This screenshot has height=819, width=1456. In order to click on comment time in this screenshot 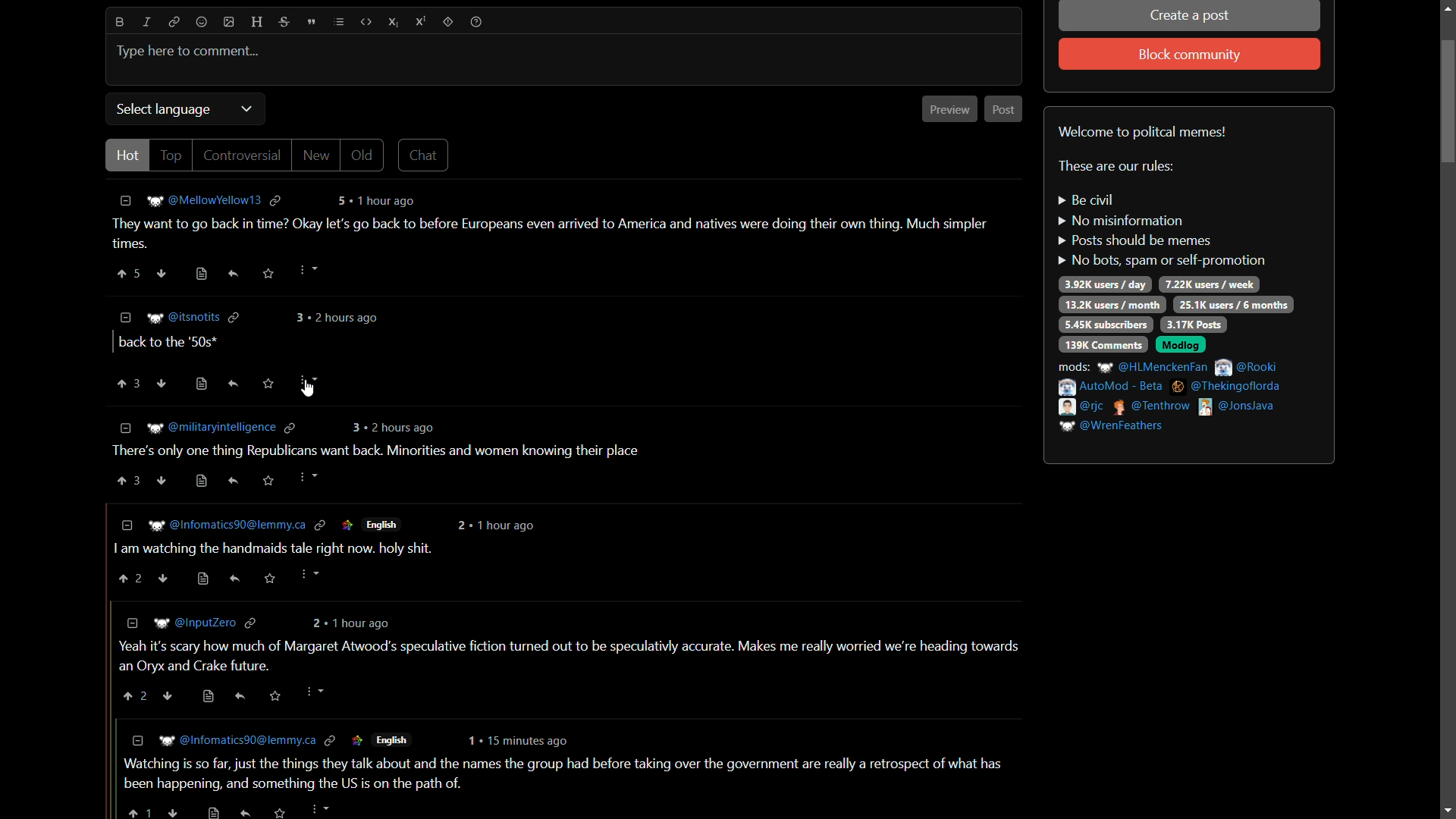, I will do `click(340, 318)`.